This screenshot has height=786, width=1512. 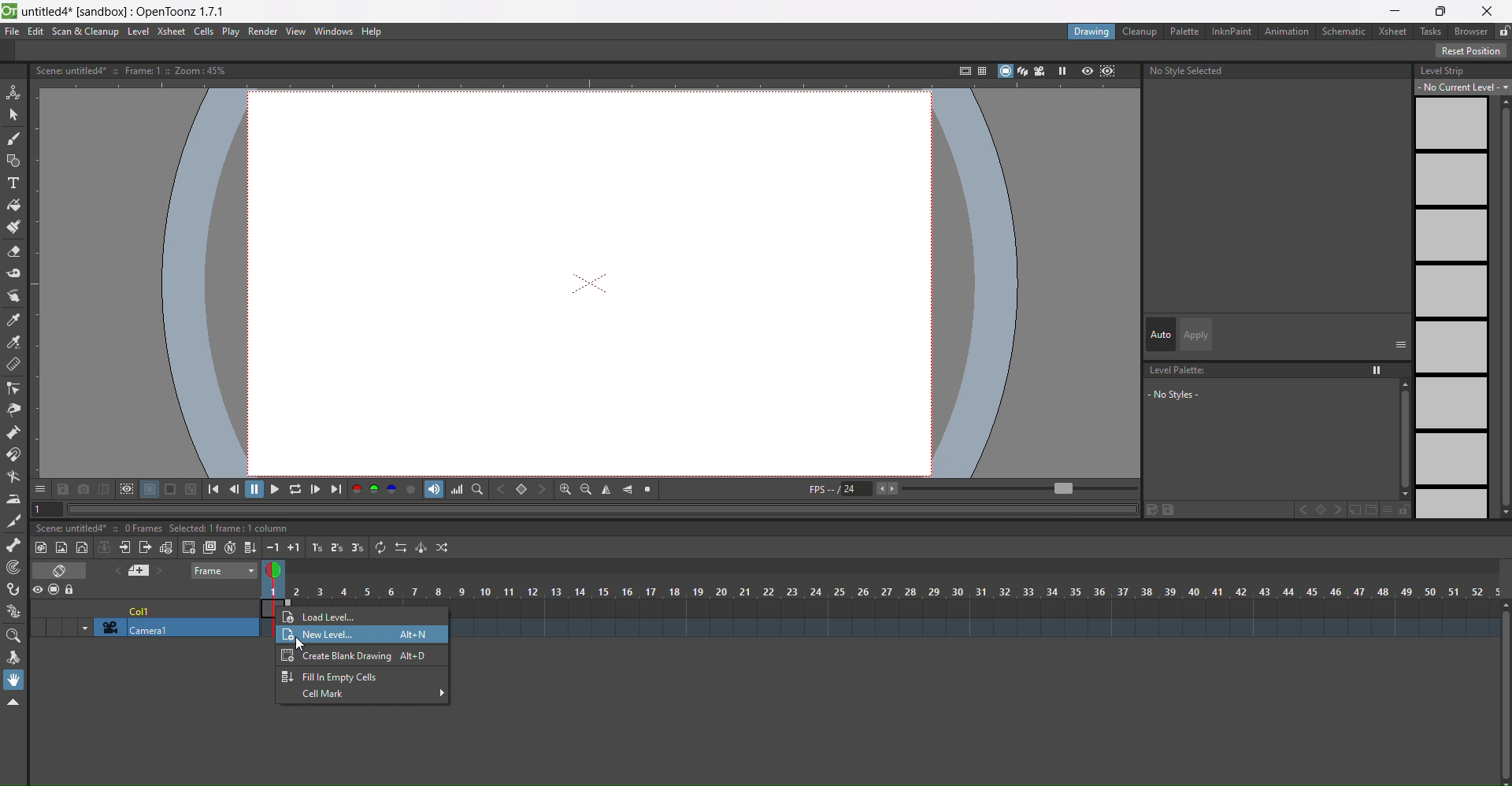 I want to click on edit, so click(x=36, y=32).